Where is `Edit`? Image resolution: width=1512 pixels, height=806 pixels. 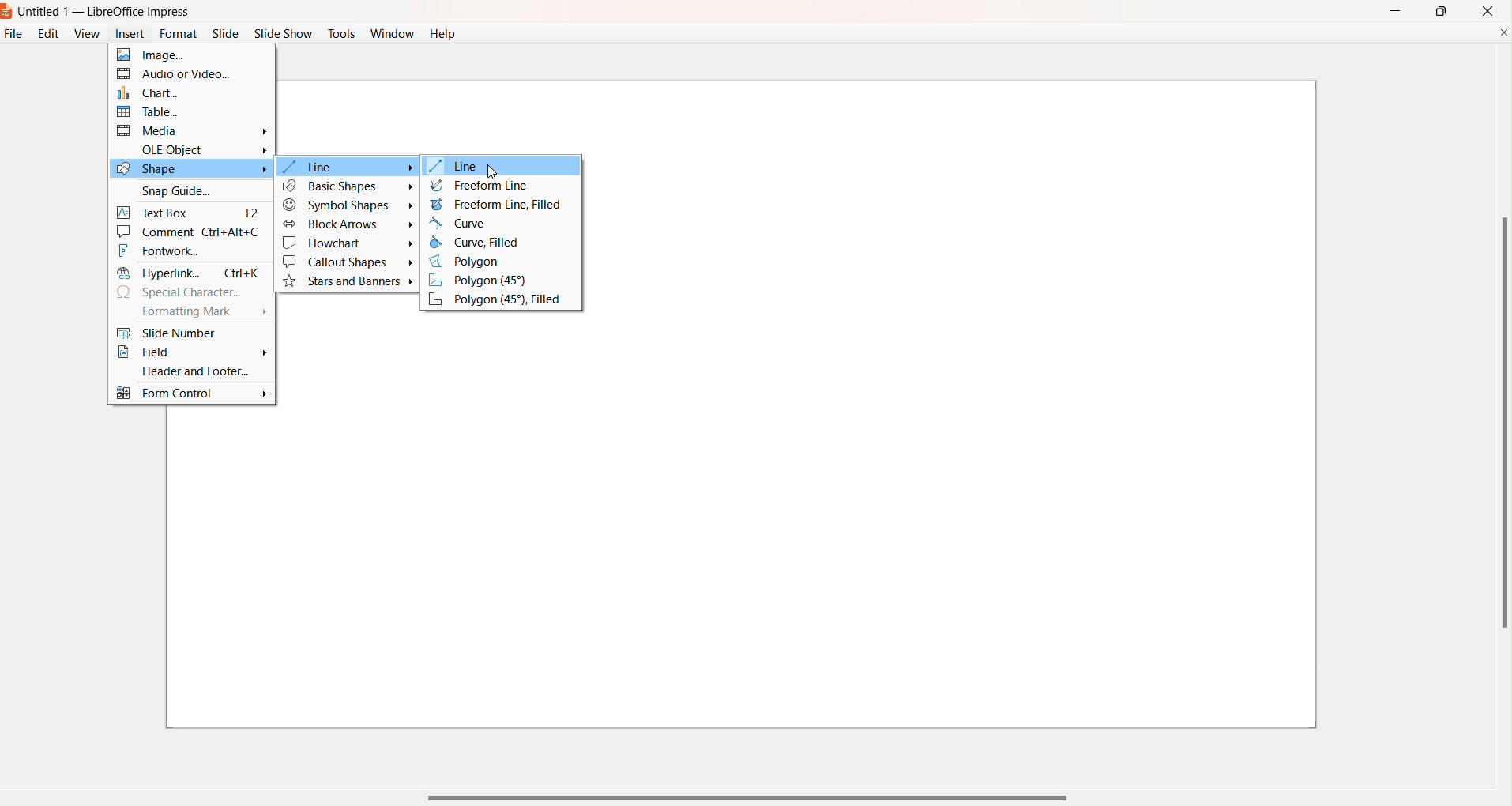 Edit is located at coordinates (48, 33).